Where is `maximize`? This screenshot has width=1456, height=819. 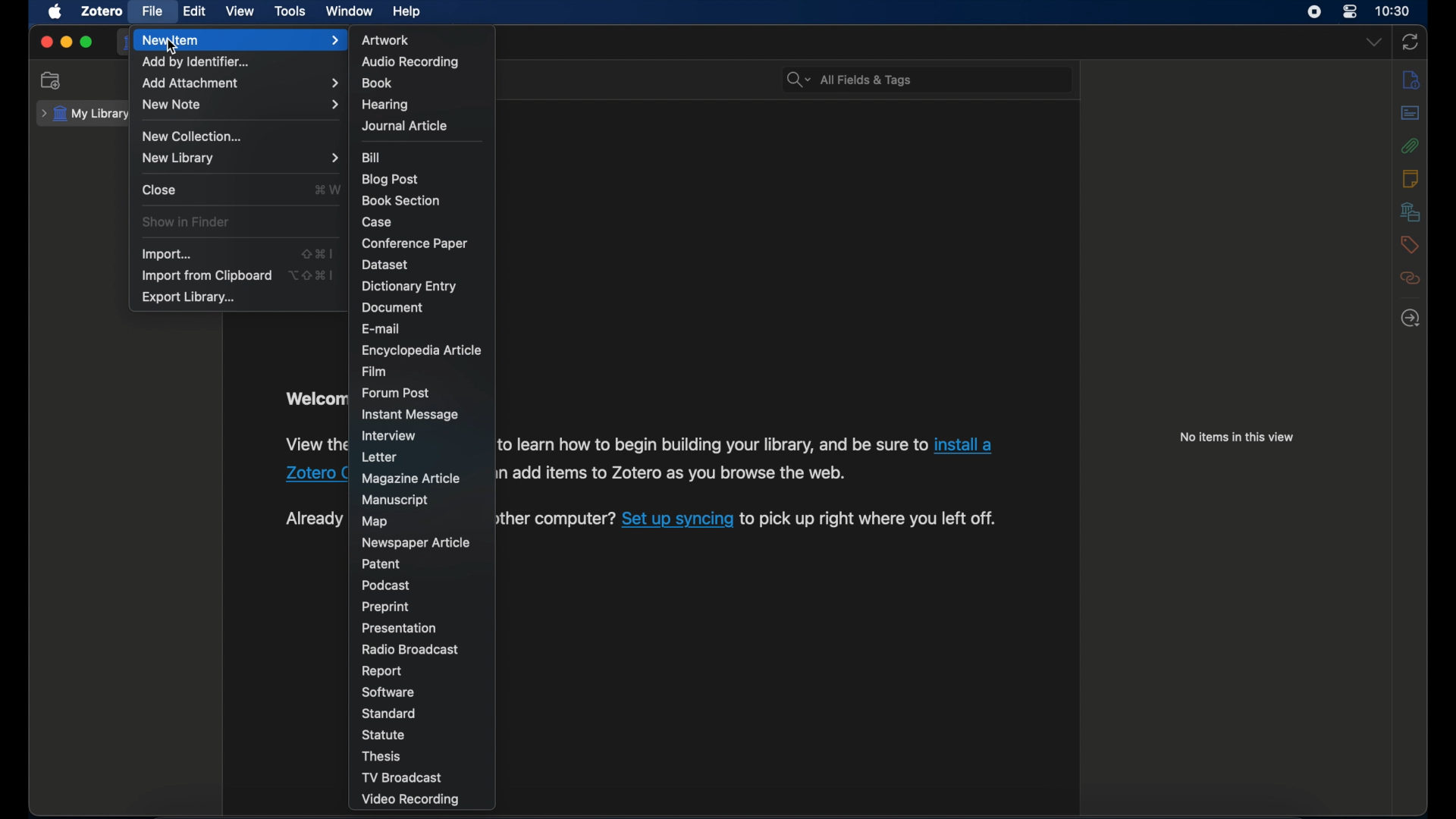 maximize is located at coordinates (86, 42).